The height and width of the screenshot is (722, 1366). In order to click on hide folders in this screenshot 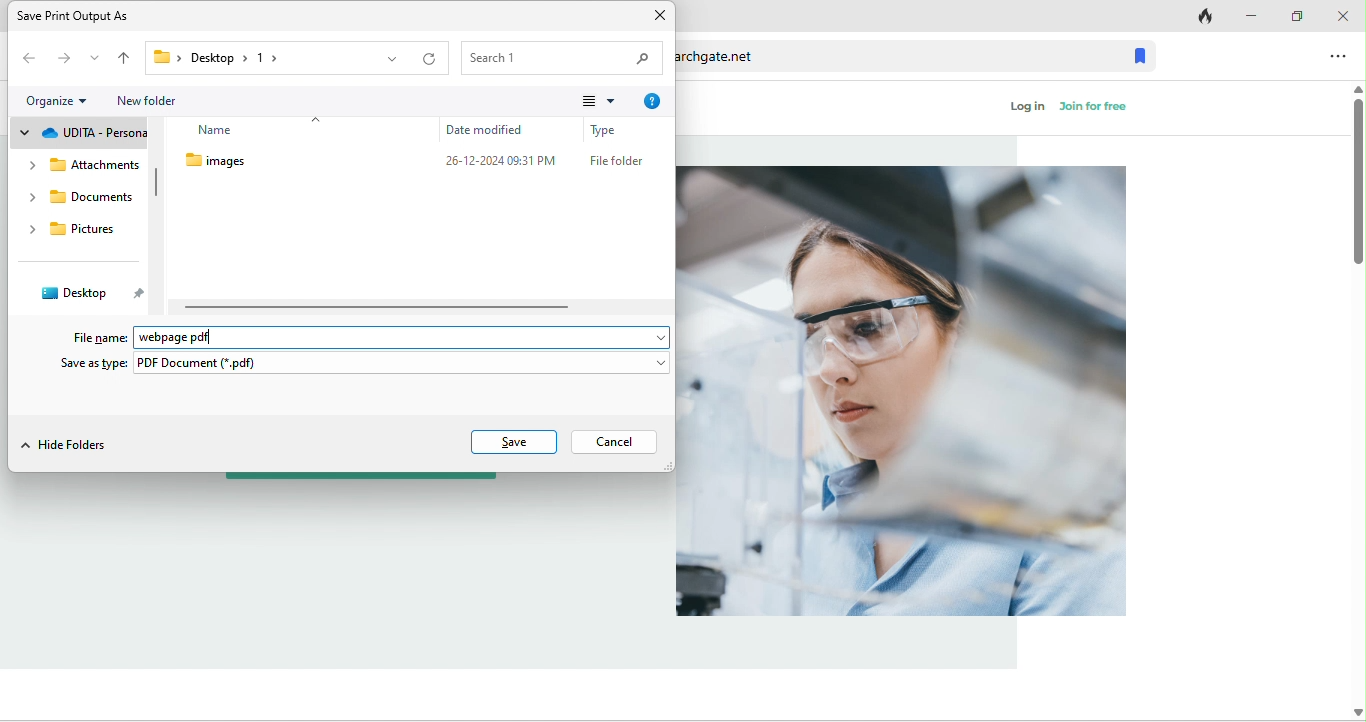, I will do `click(70, 445)`.